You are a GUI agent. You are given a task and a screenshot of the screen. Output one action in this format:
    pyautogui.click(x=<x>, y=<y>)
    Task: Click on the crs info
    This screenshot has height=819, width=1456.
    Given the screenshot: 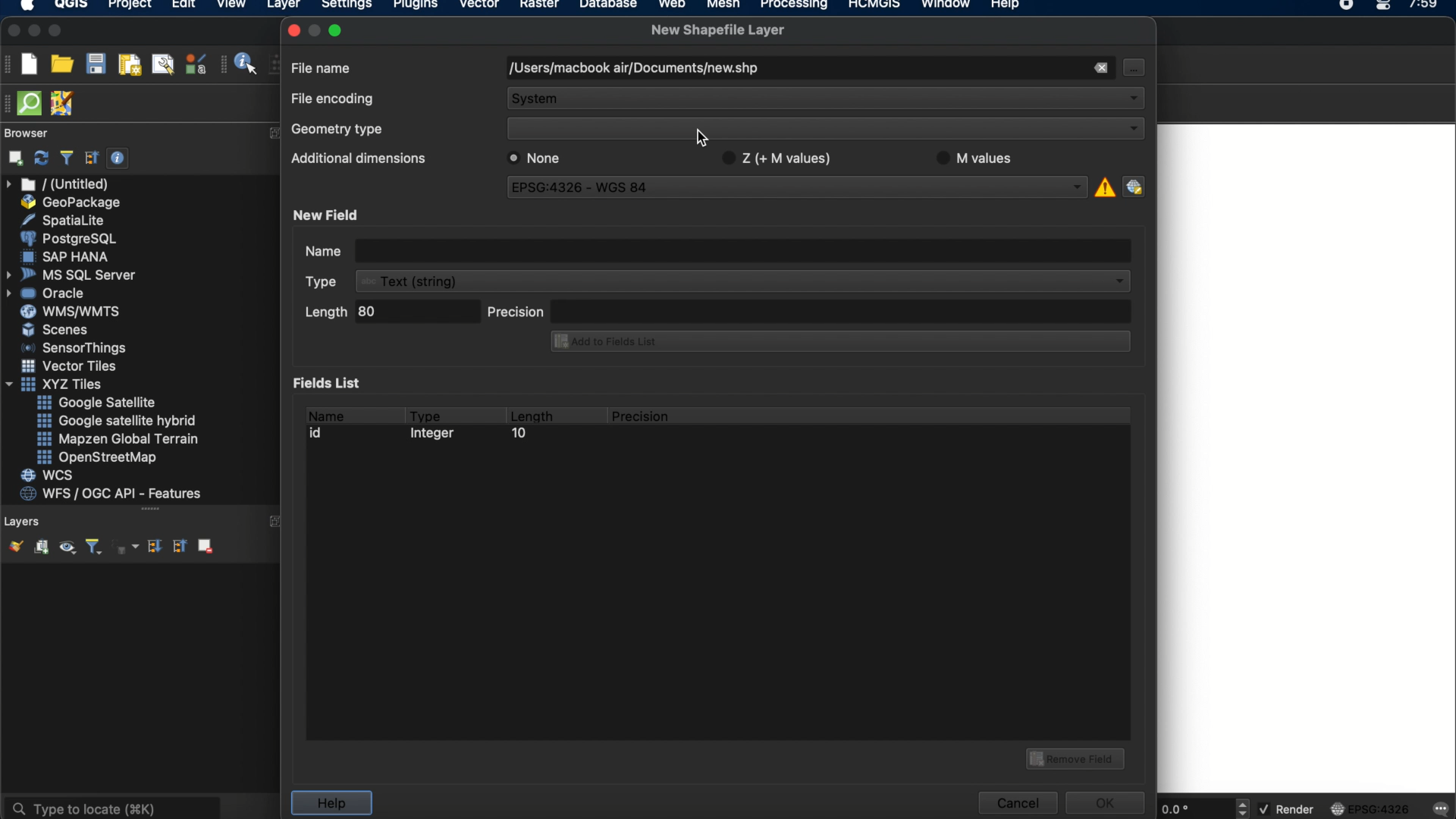 What is the action you would take?
    pyautogui.click(x=1103, y=185)
    